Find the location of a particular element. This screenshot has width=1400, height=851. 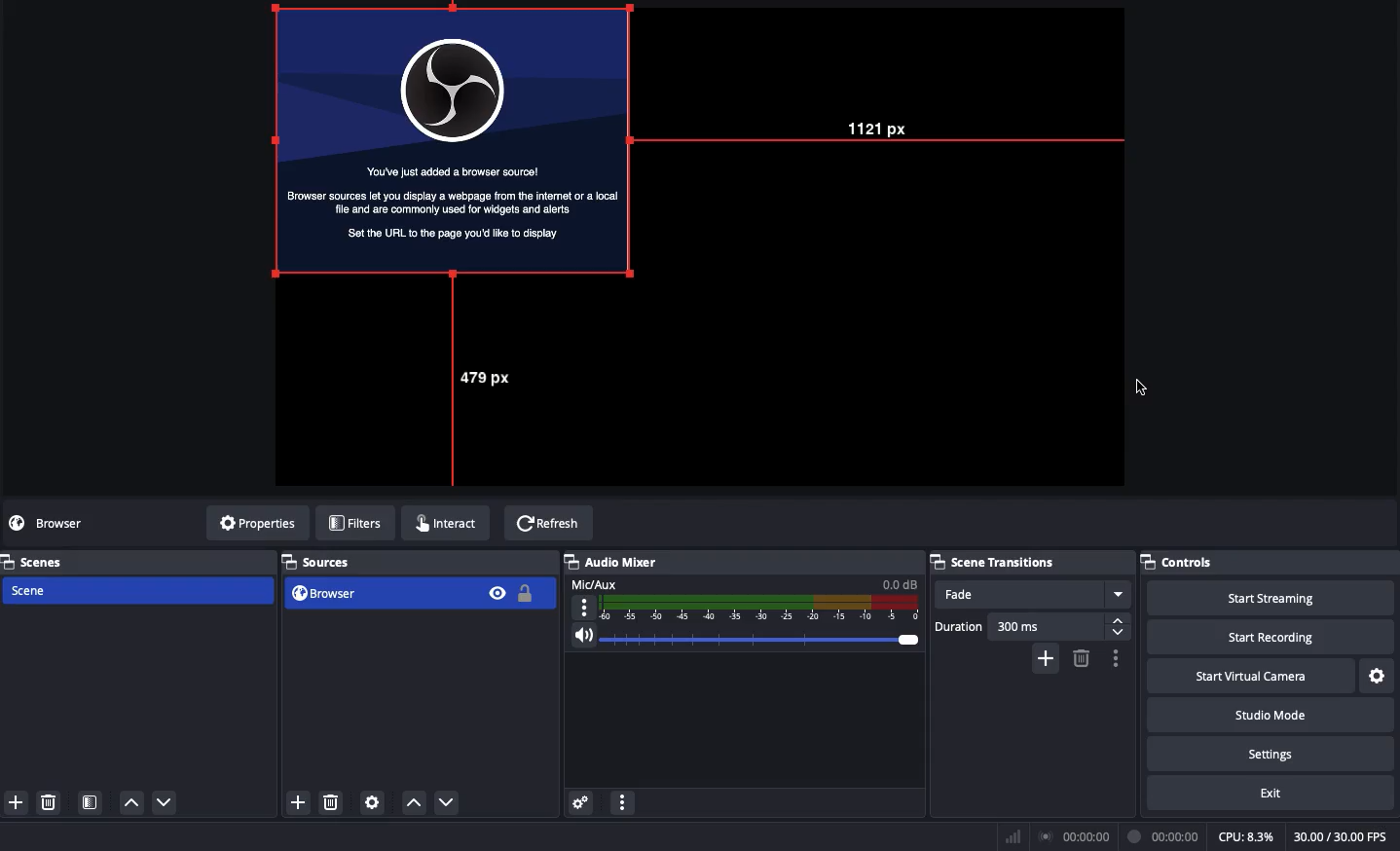

Start streaming is located at coordinates (1277, 594).